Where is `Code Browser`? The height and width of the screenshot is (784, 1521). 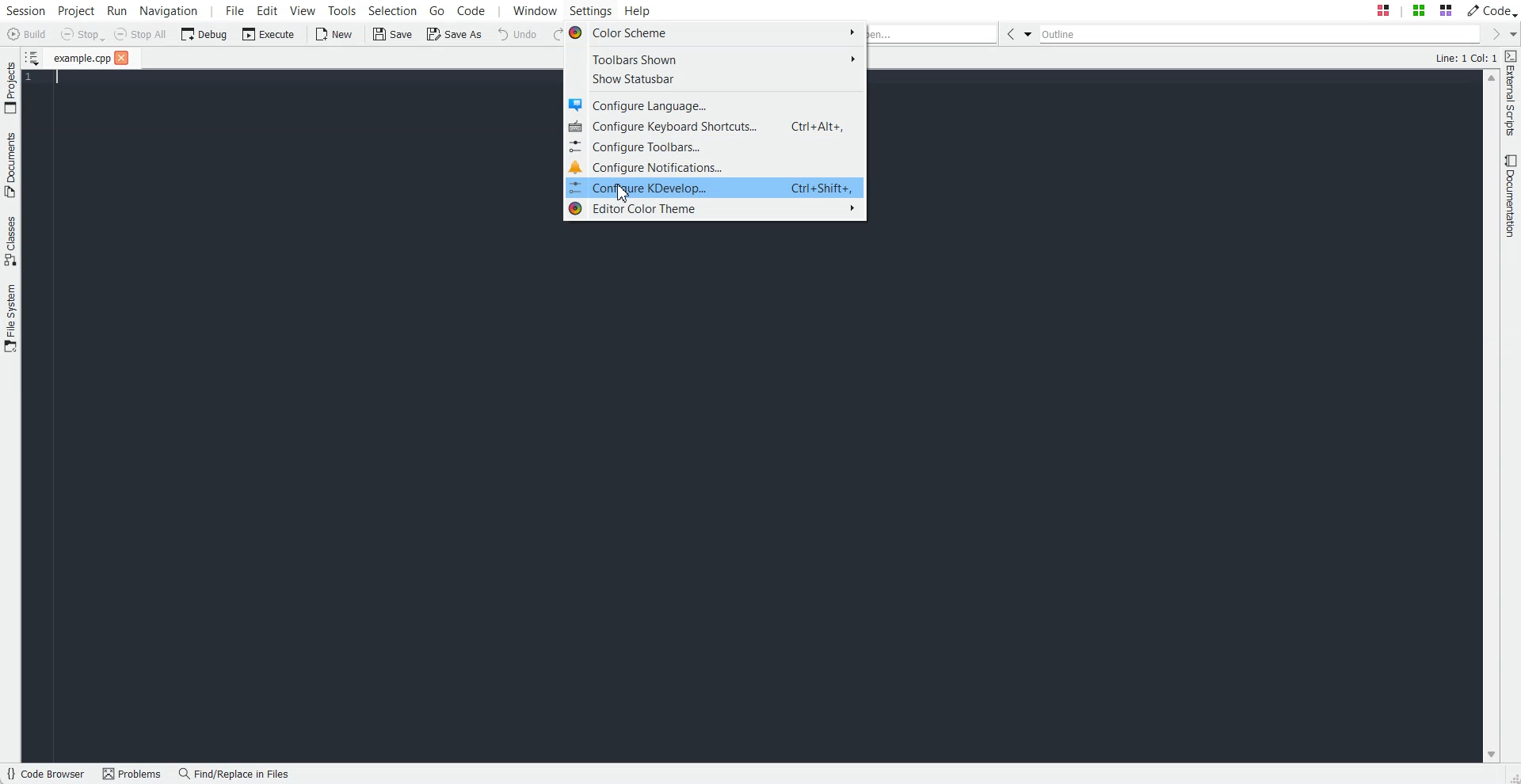
Code Browser is located at coordinates (48, 774).